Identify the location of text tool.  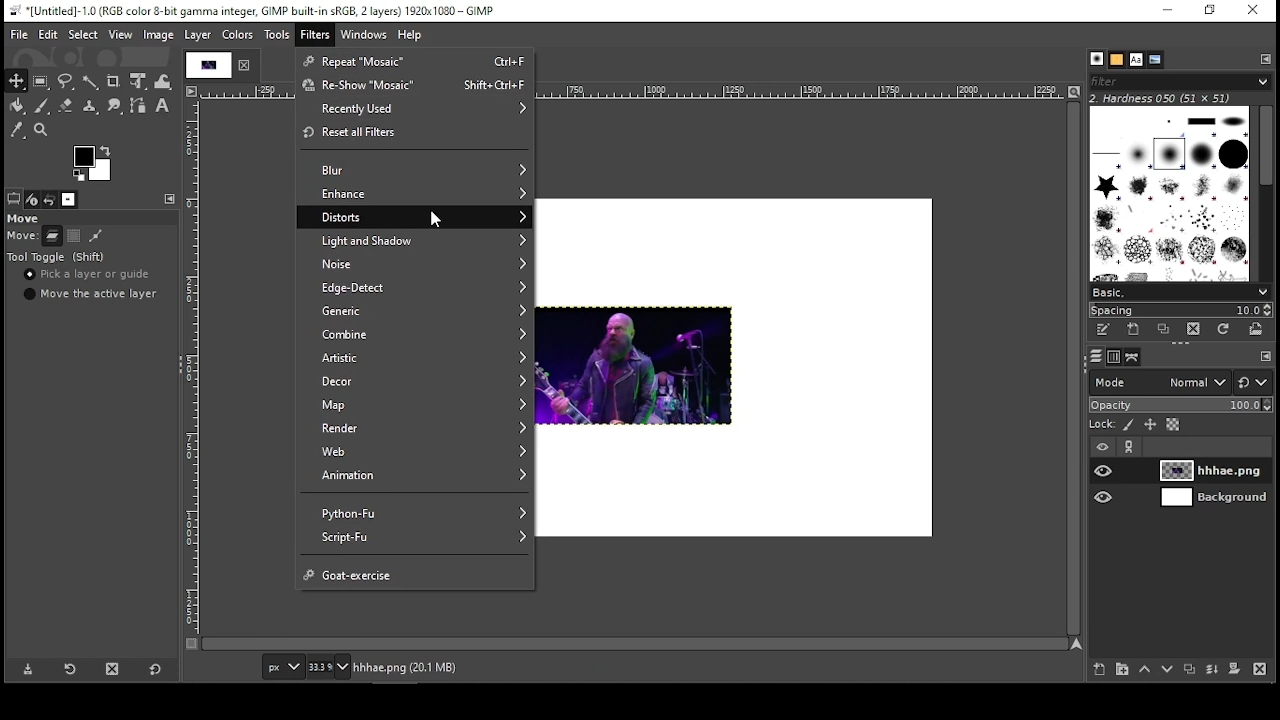
(164, 109).